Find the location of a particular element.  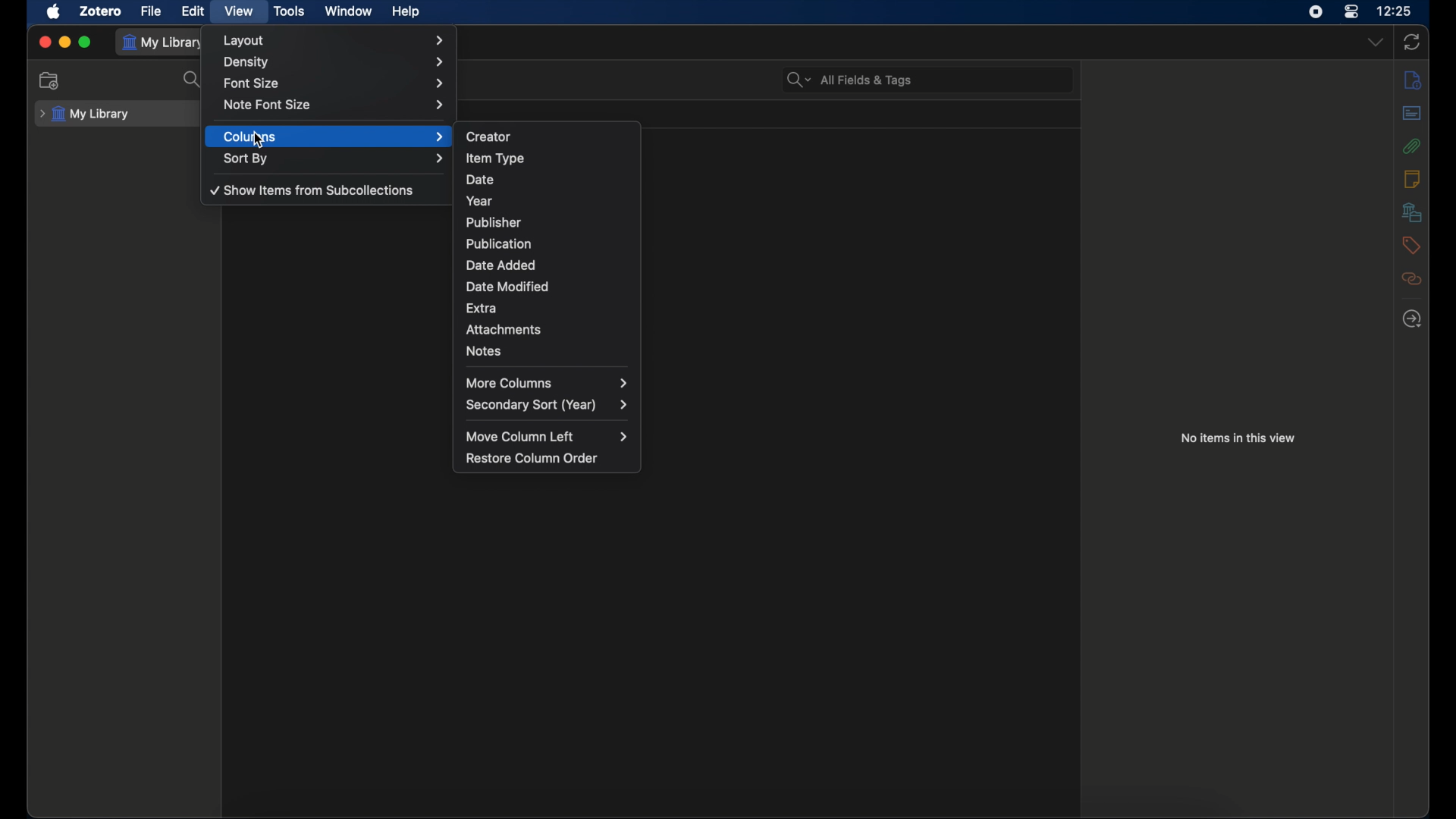

date added is located at coordinates (500, 264).